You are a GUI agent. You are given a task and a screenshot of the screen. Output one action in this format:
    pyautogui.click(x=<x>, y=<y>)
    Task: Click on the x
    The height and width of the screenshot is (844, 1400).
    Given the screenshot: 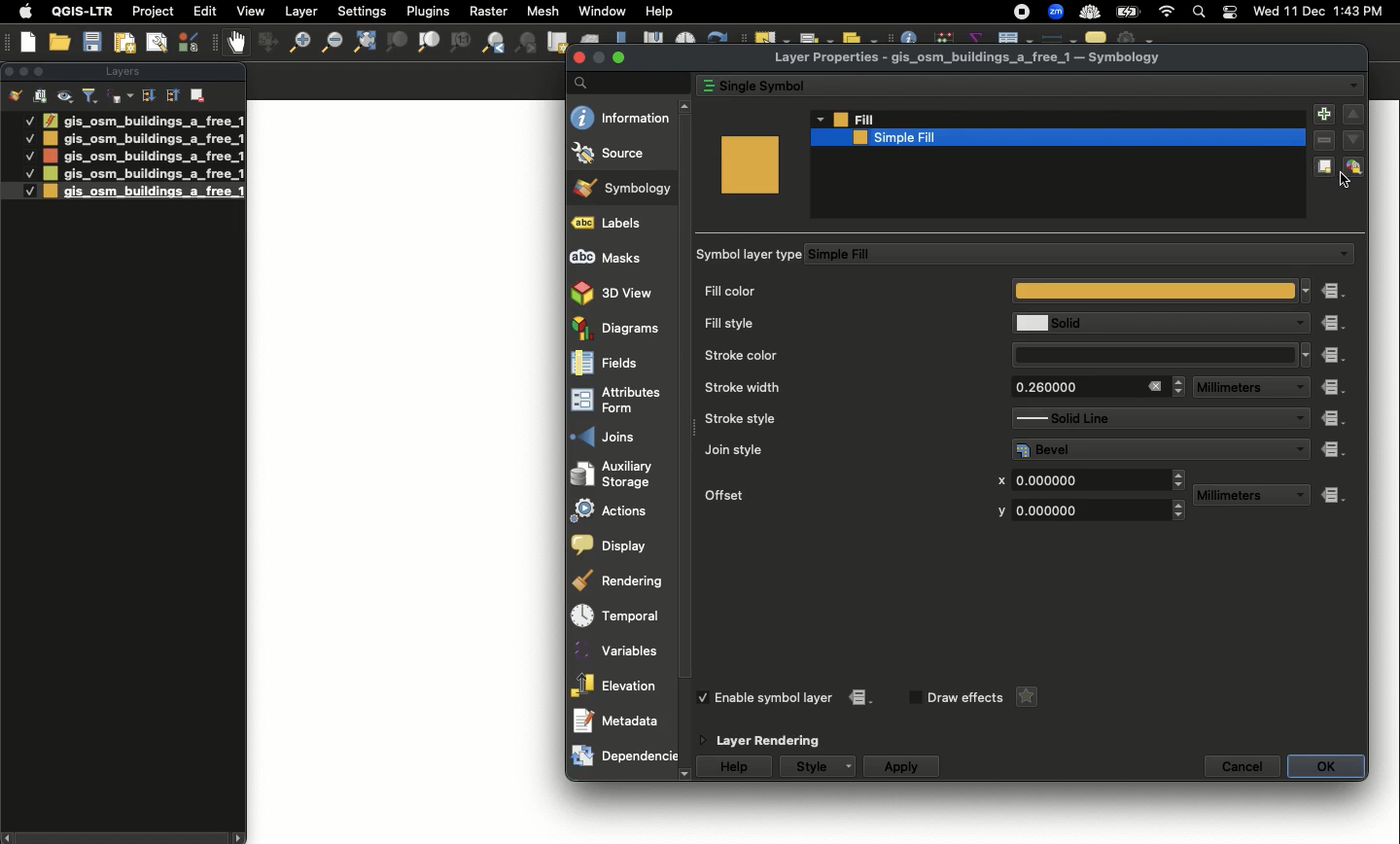 What is the action you would take?
    pyautogui.click(x=1000, y=481)
    